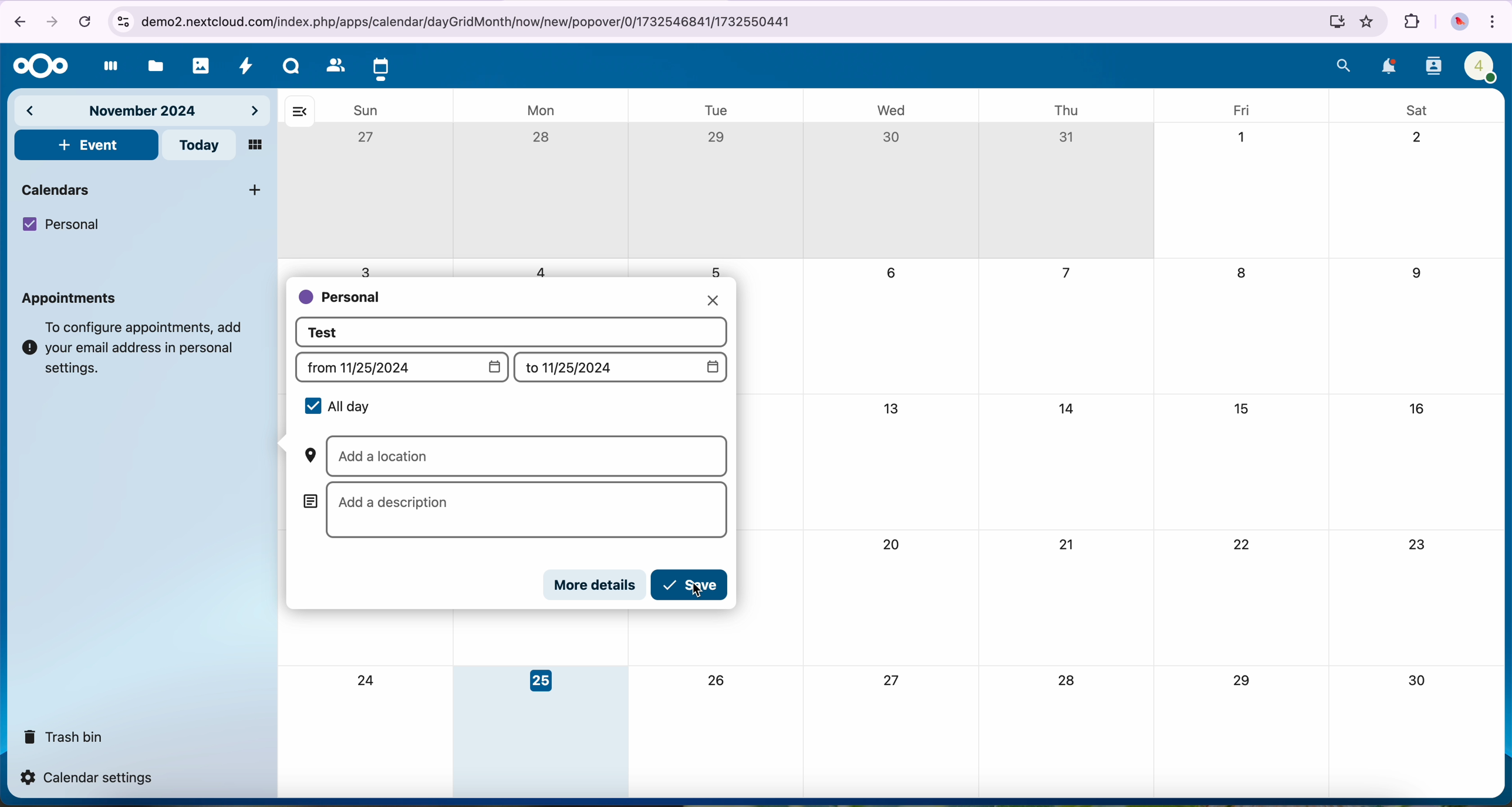 The image size is (1512, 807). What do you see at coordinates (1419, 408) in the screenshot?
I see `16` at bounding box center [1419, 408].